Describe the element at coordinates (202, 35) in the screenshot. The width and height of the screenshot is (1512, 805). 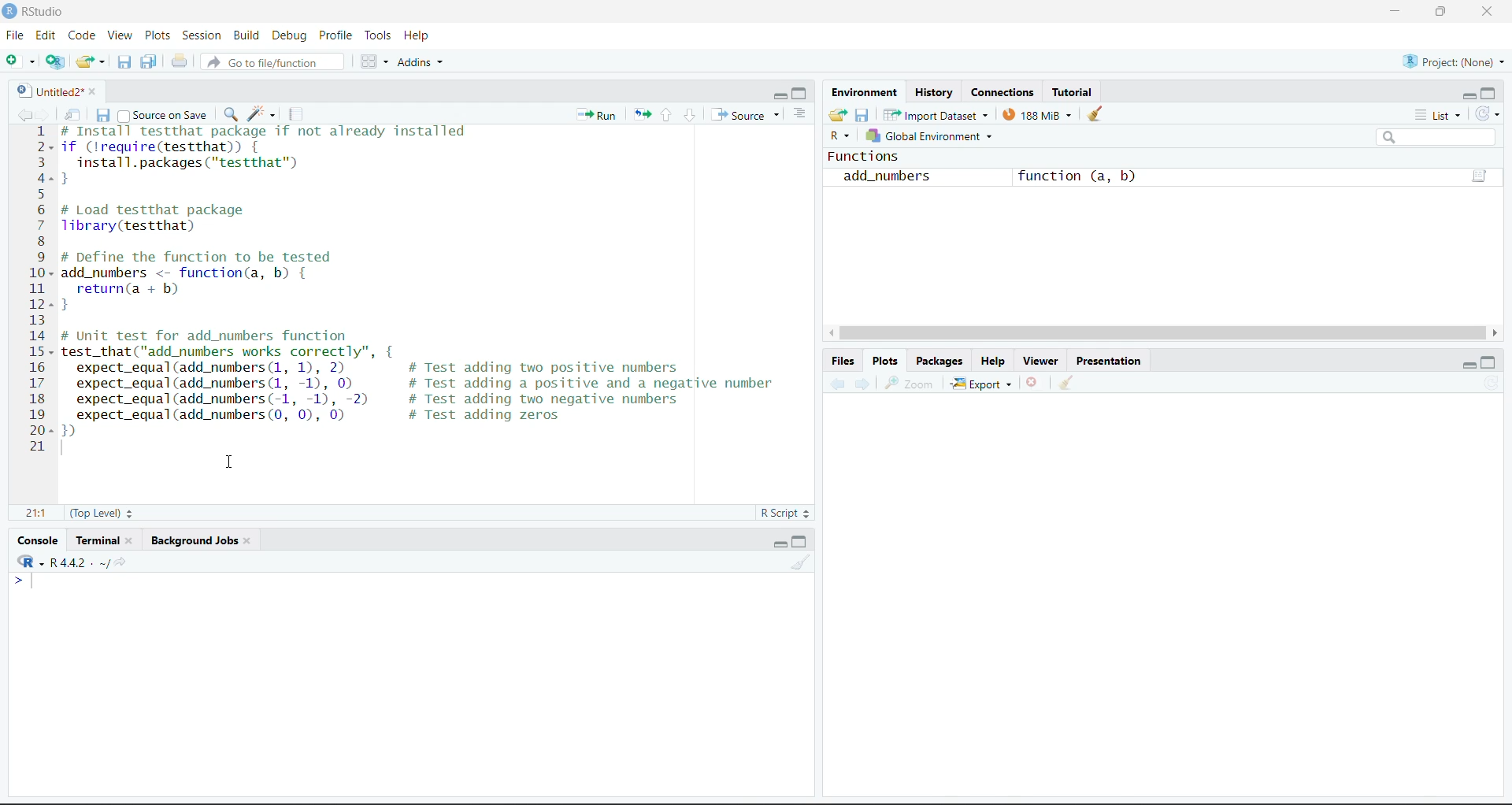
I see `Session` at that location.